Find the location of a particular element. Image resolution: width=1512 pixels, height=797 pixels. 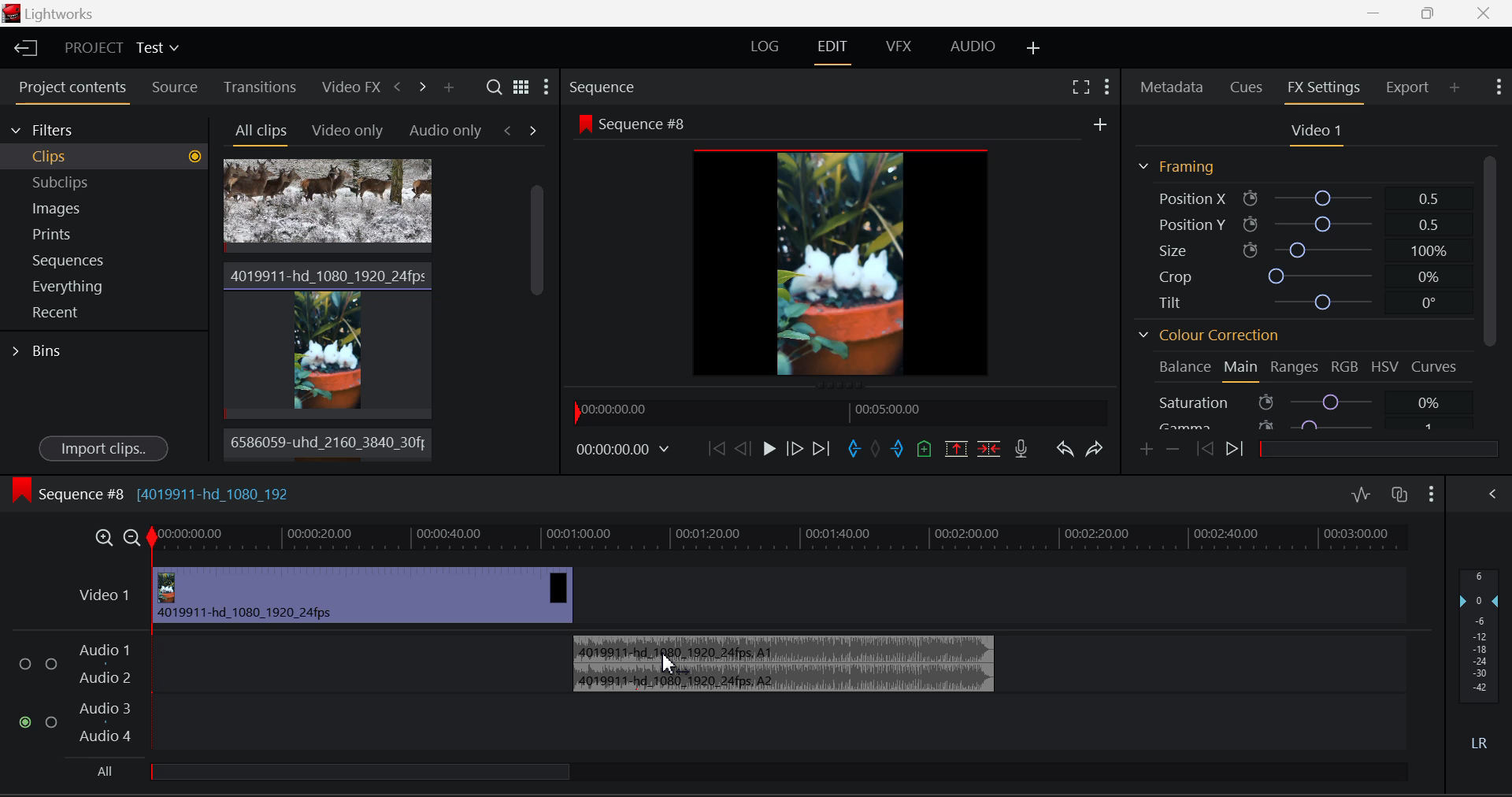

Back to Homepage is located at coordinates (22, 46).